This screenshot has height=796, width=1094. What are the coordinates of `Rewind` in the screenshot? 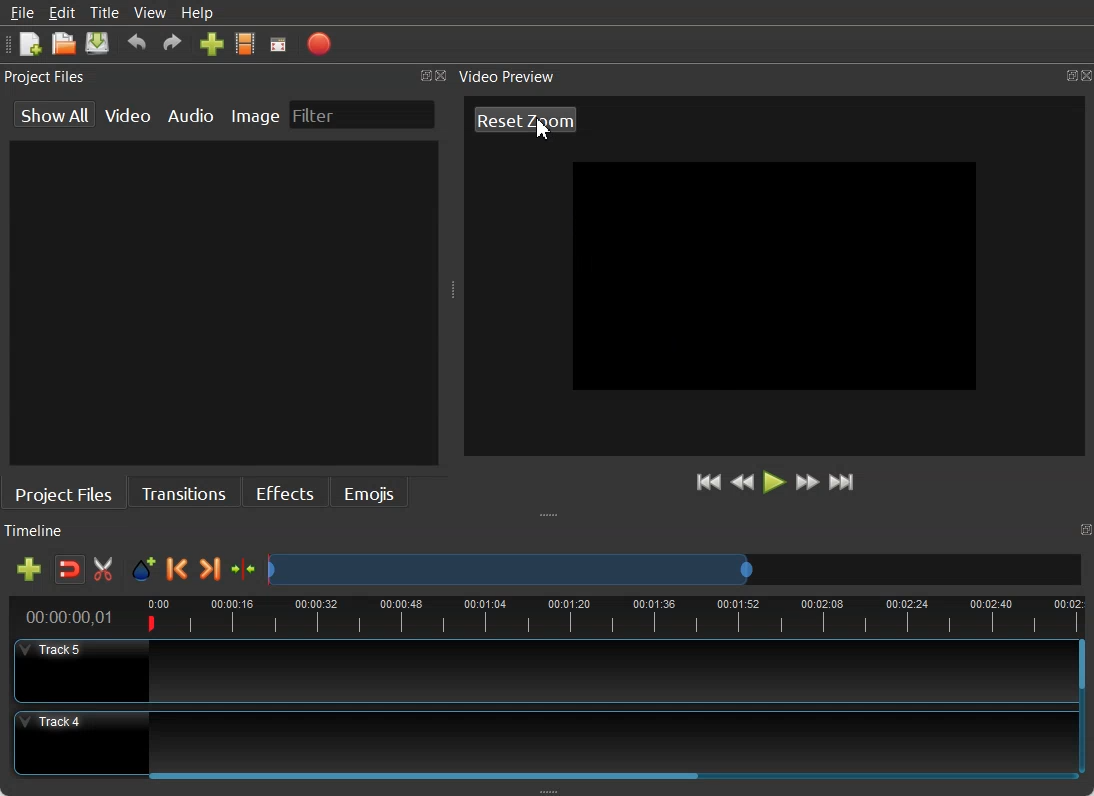 It's located at (743, 481).